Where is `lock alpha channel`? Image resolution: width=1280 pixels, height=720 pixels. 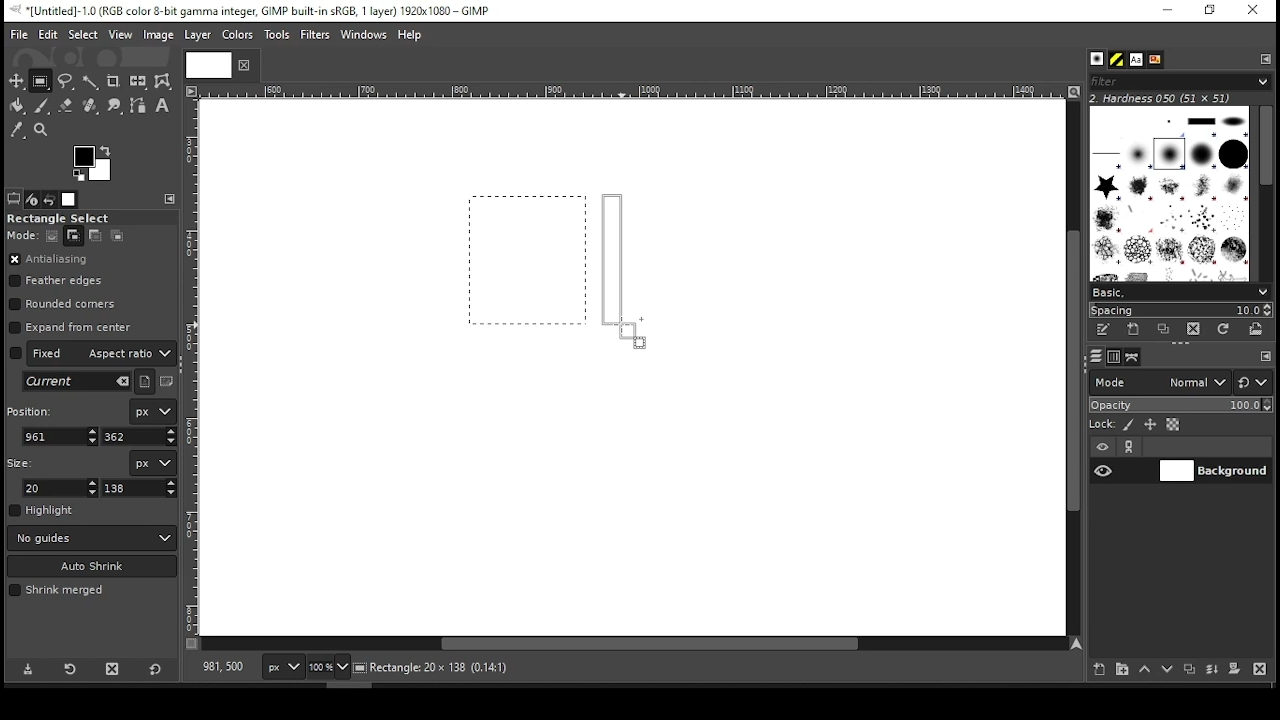
lock alpha channel is located at coordinates (1172, 425).